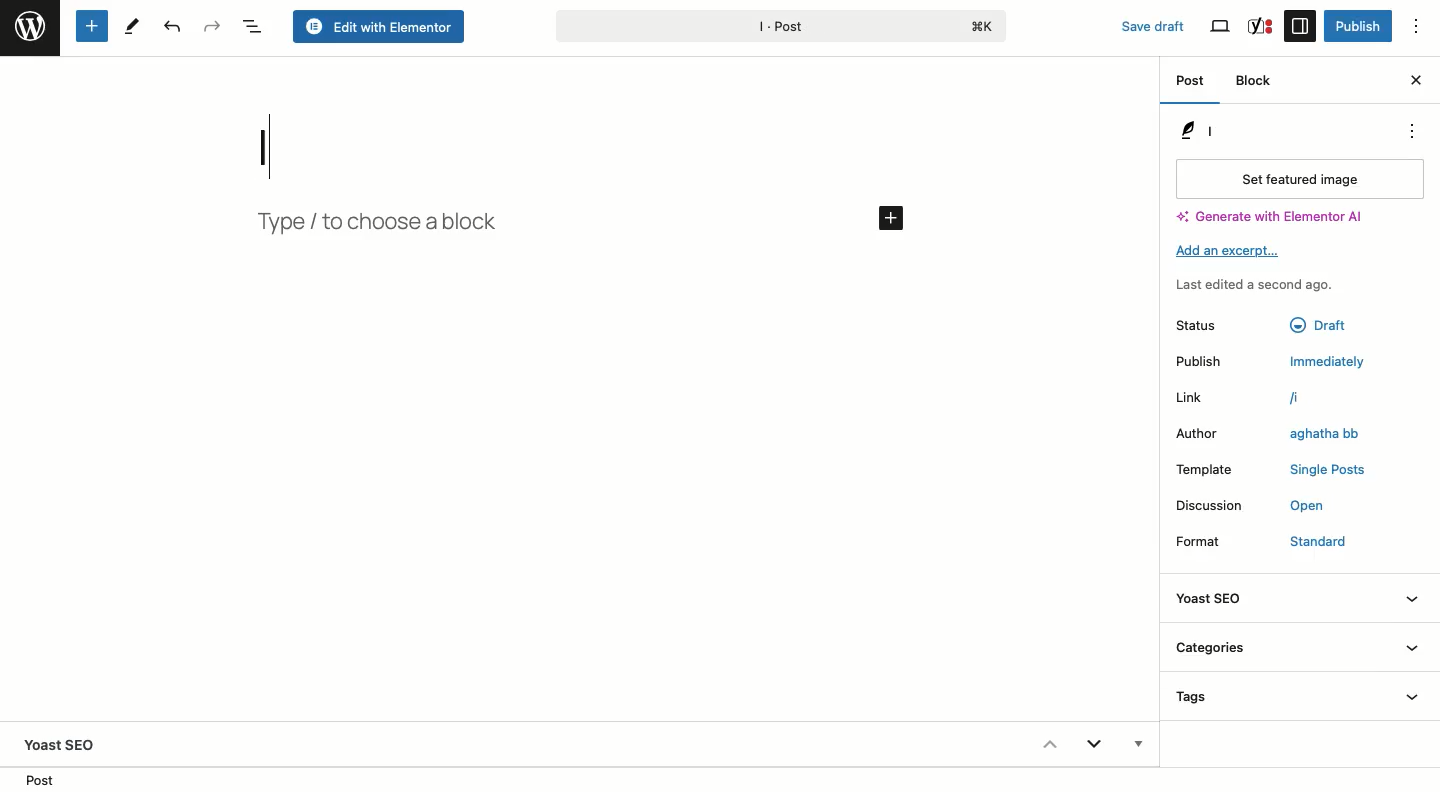 This screenshot has height=792, width=1440. Describe the element at coordinates (1136, 746) in the screenshot. I see `Hidden` at that location.